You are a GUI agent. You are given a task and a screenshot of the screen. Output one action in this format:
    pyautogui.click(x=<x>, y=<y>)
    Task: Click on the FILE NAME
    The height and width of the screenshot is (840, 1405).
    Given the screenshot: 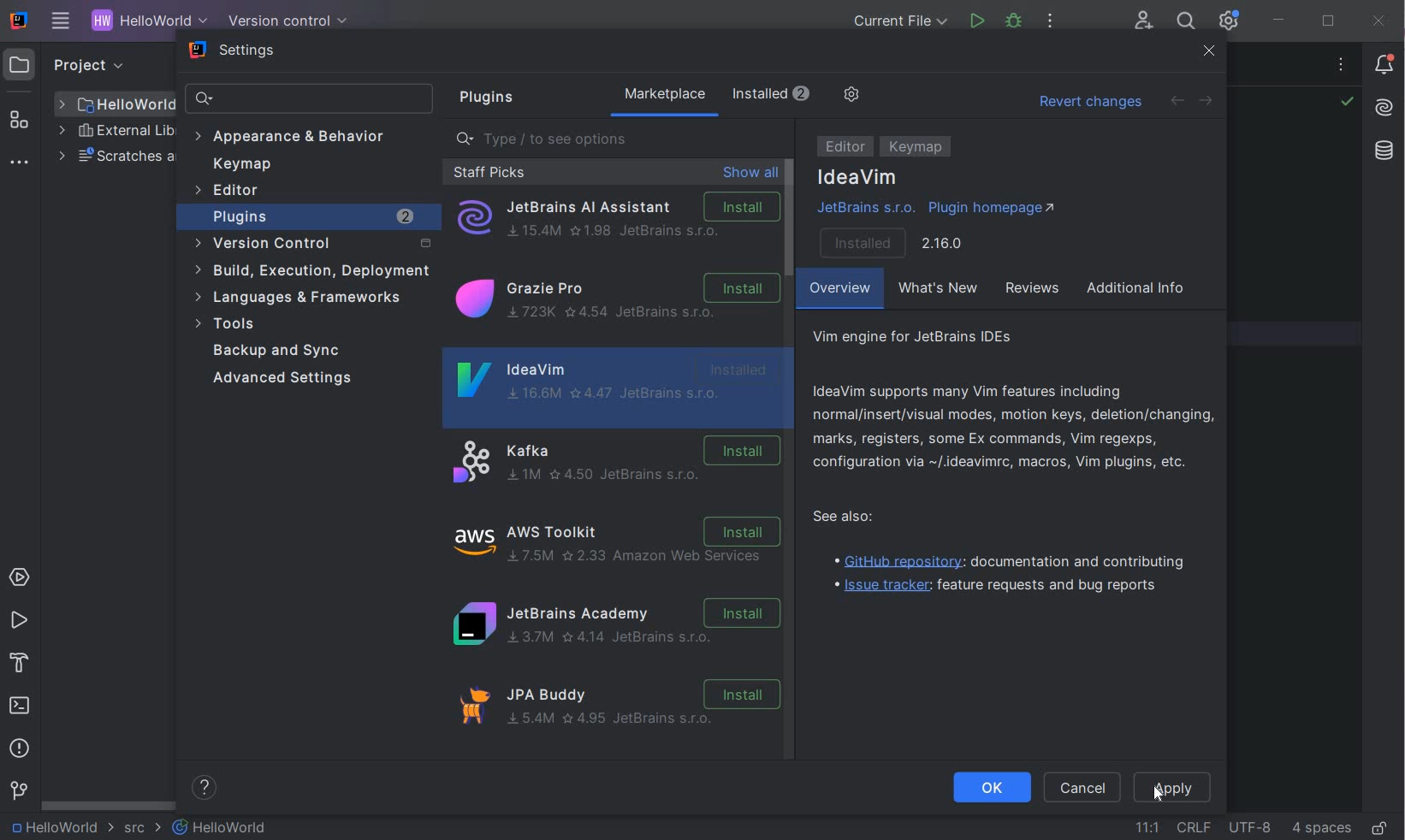 What is the action you would take?
    pyautogui.click(x=221, y=827)
    